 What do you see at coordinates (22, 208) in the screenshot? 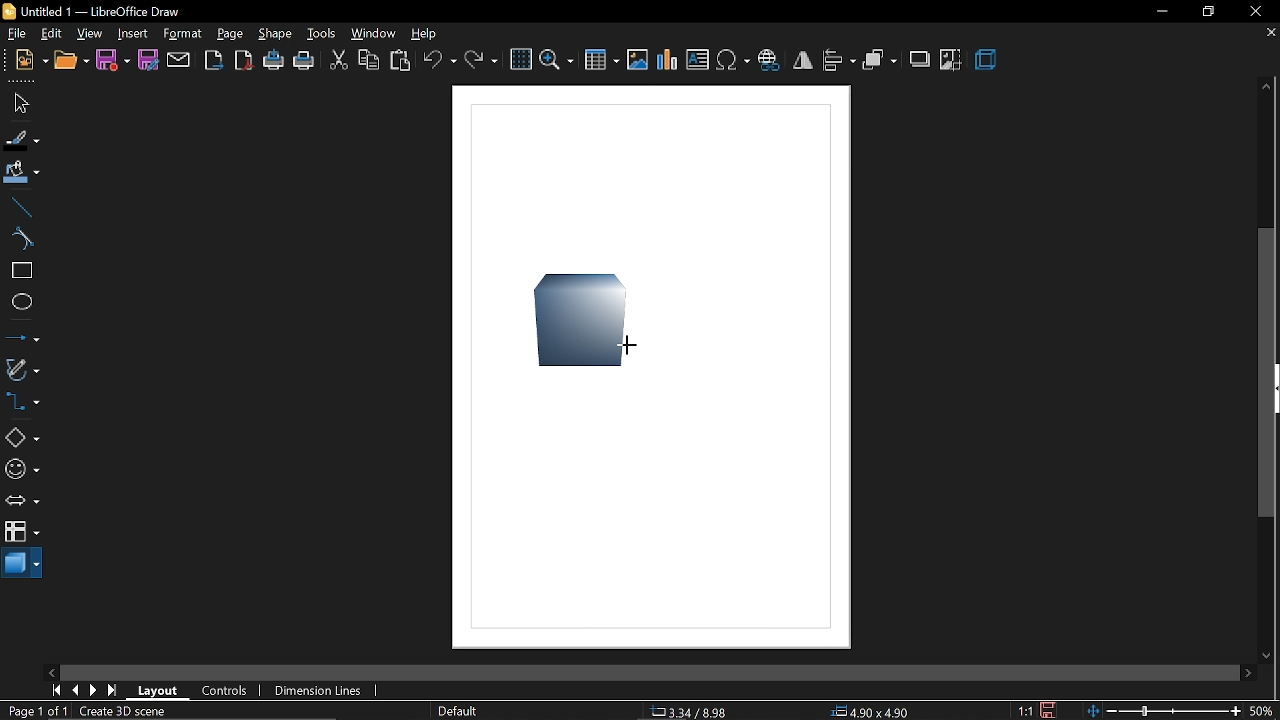
I see `line` at bounding box center [22, 208].